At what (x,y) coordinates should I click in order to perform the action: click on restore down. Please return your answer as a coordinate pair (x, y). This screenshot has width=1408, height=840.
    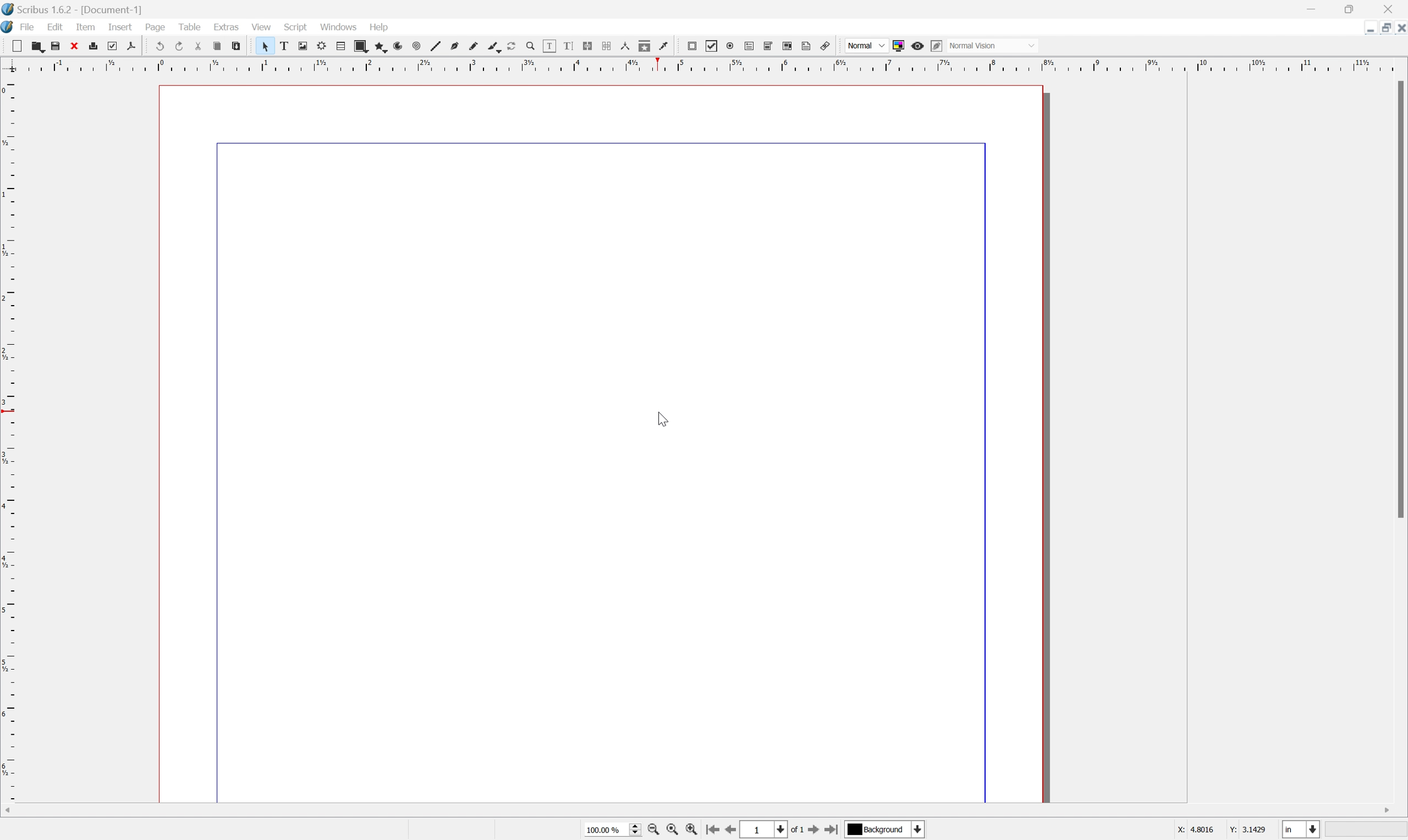
    Looking at the image, I should click on (1381, 28).